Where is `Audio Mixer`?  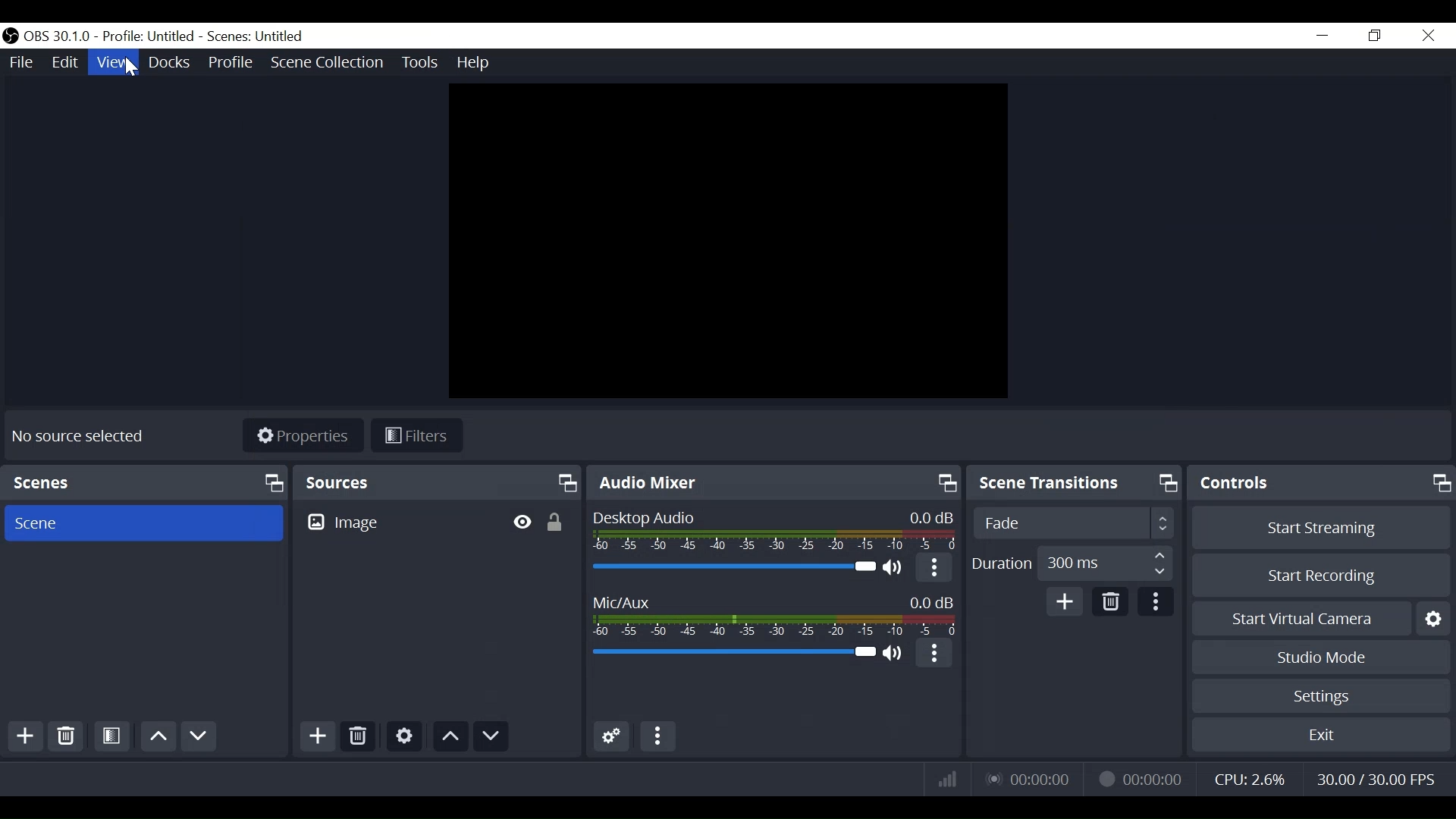
Audio Mixer is located at coordinates (775, 482).